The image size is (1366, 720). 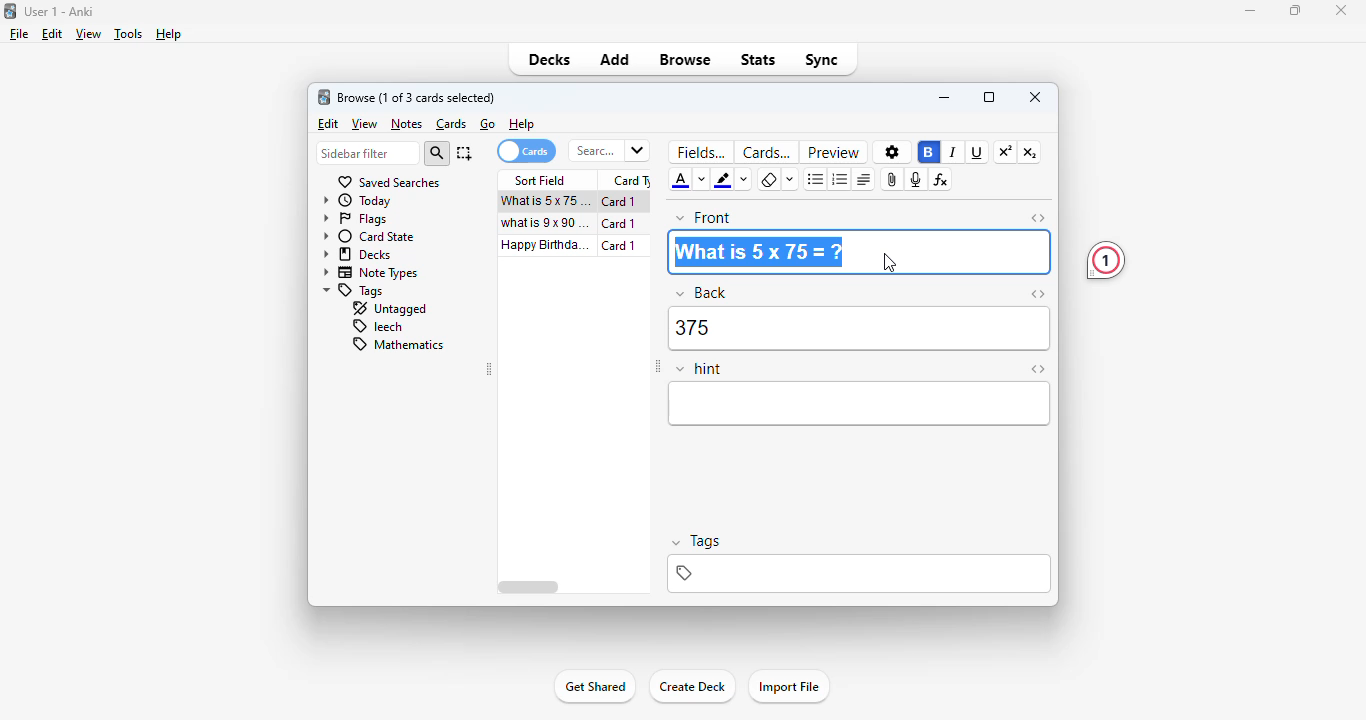 What do you see at coordinates (551, 59) in the screenshot?
I see `decks` at bounding box center [551, 59].